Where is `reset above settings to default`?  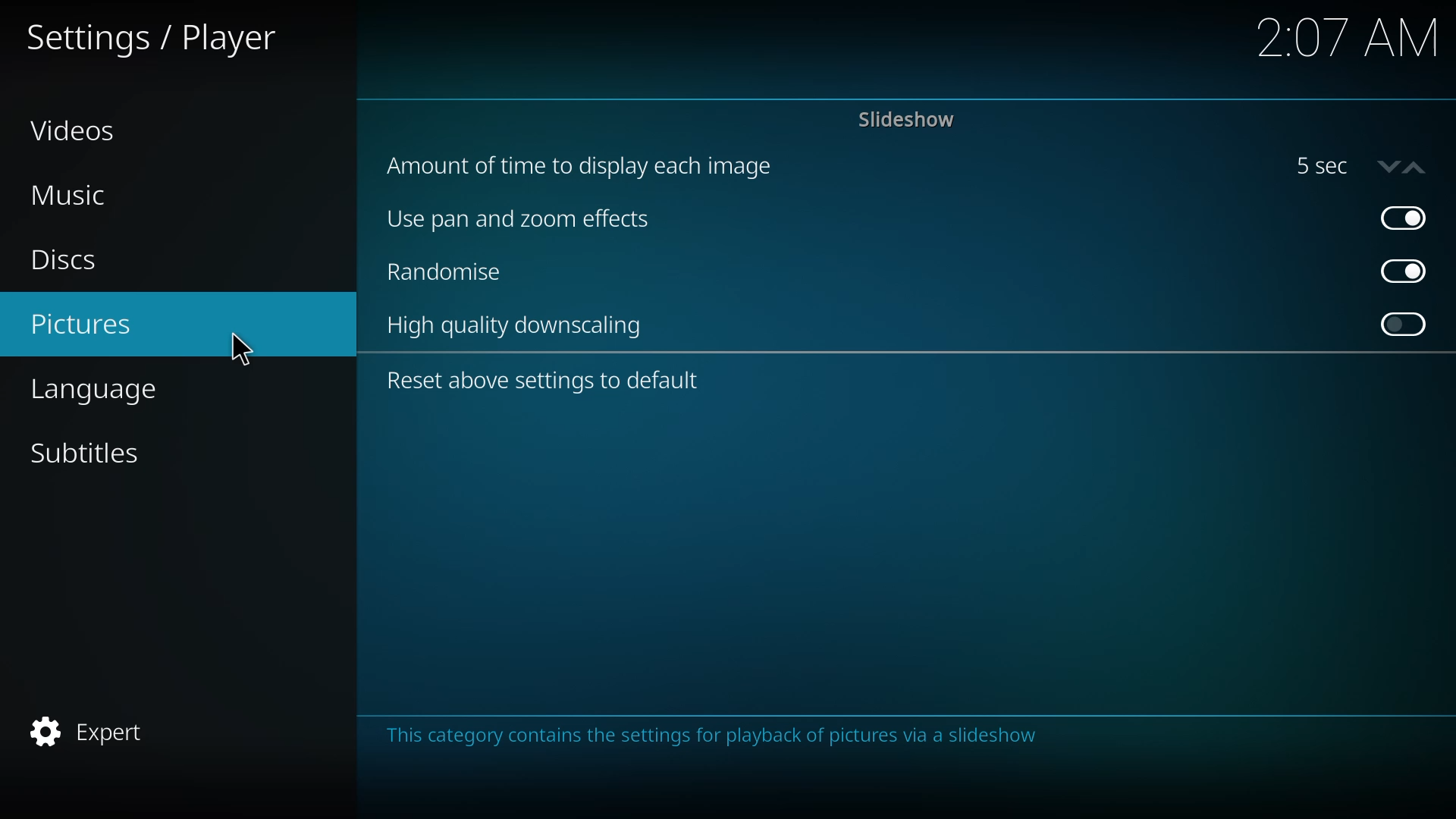
reset above settings to default is located at coordinates (547, 381).